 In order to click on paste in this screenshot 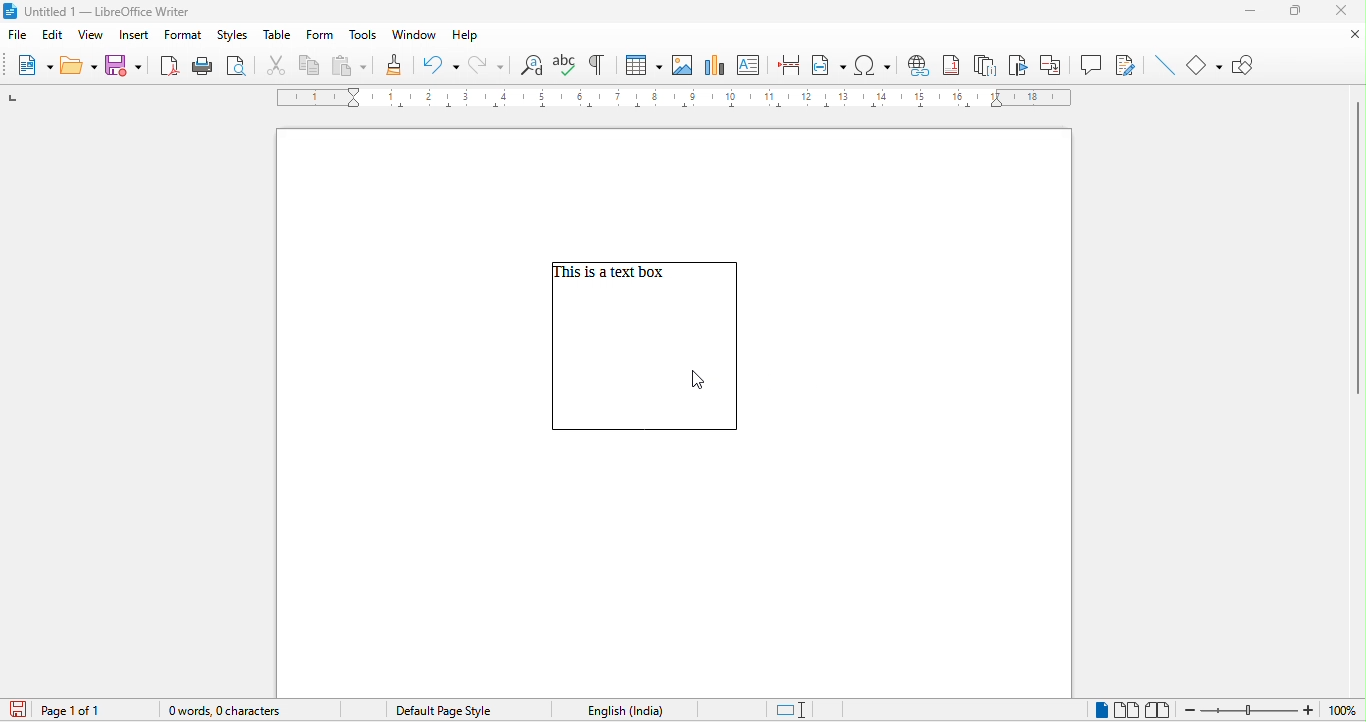, I will do `click(348, 66)`.